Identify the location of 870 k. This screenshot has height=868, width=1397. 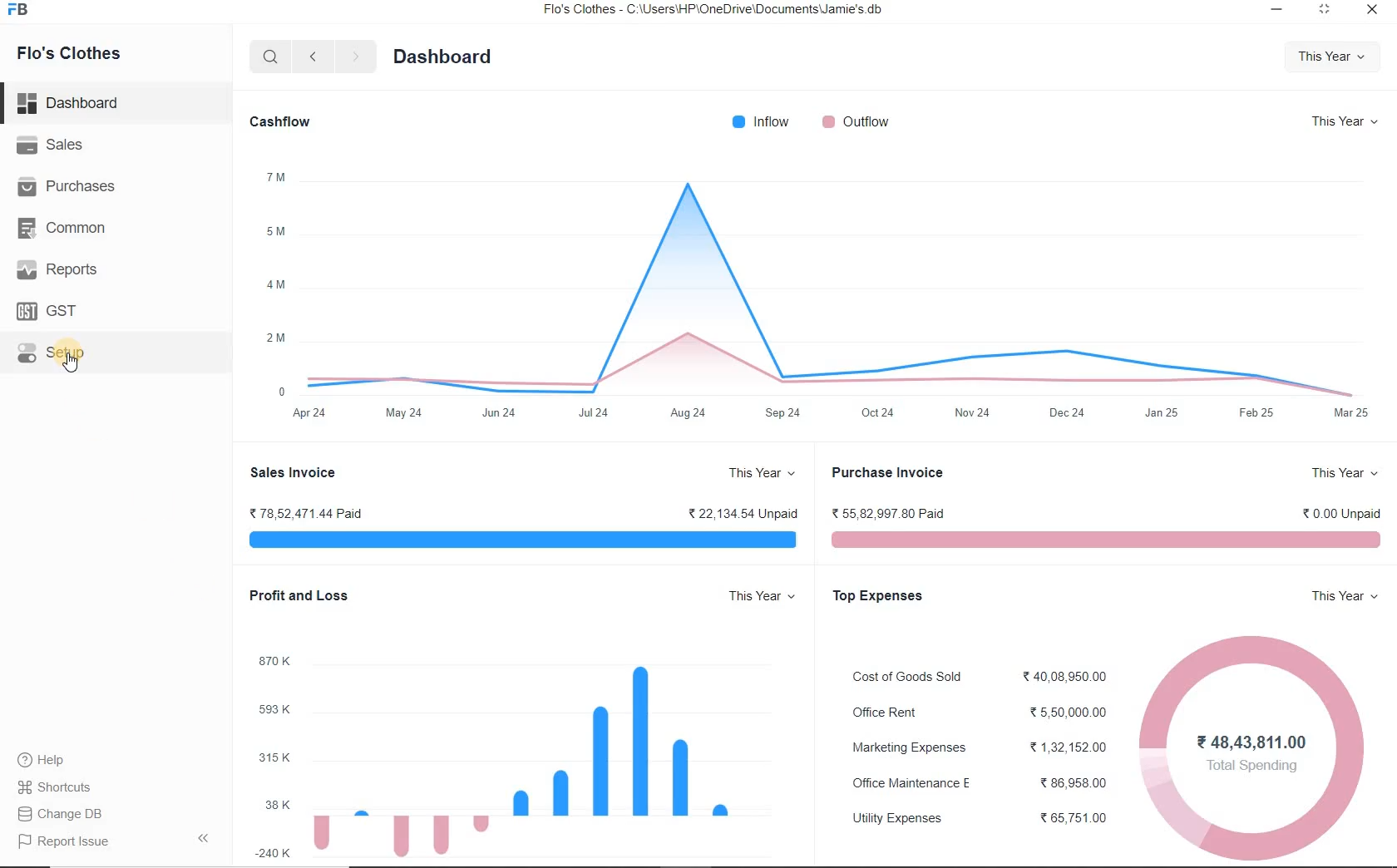
(274, 663).